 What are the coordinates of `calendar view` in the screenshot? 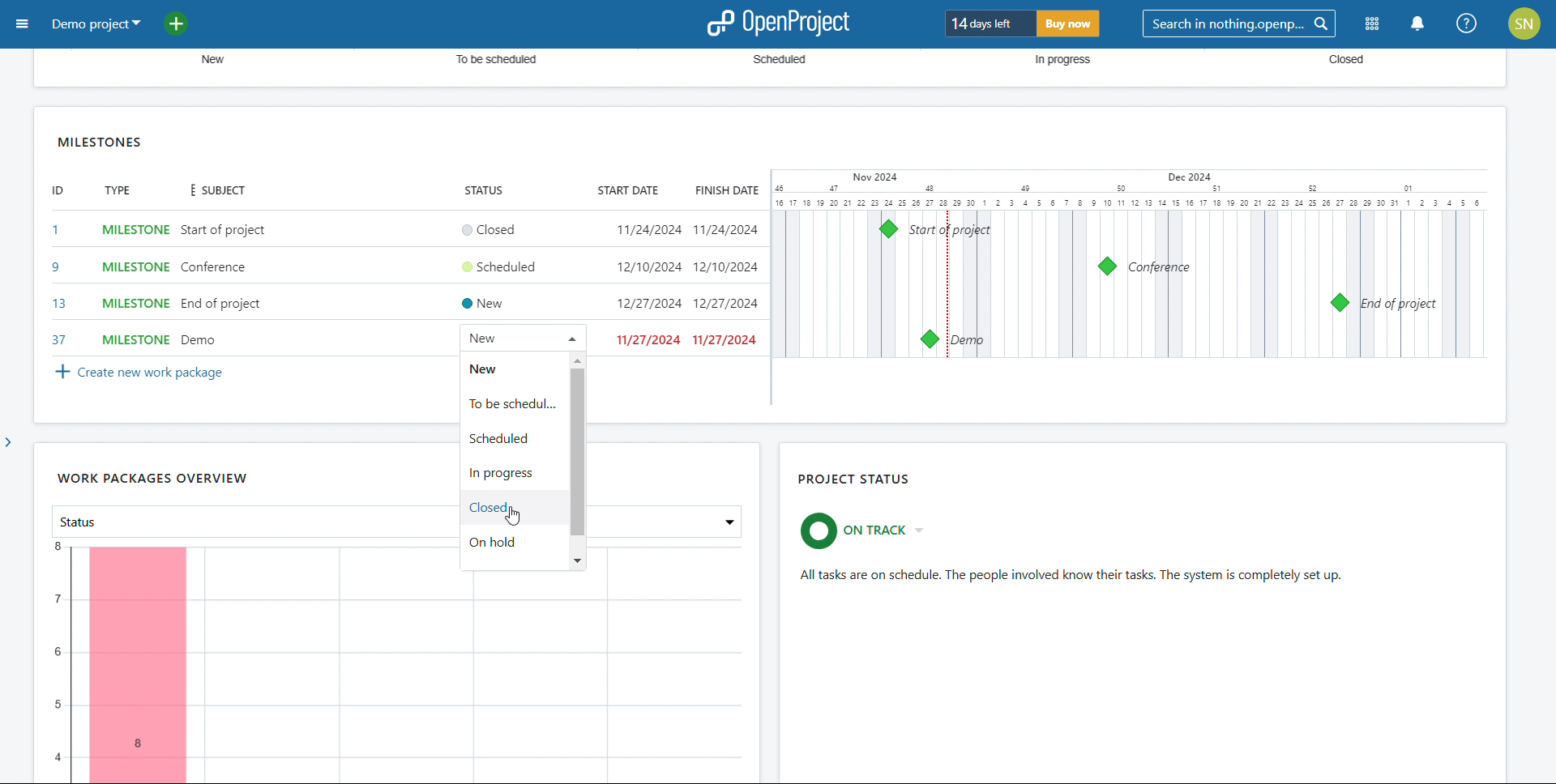 It's located at (1131, 263).